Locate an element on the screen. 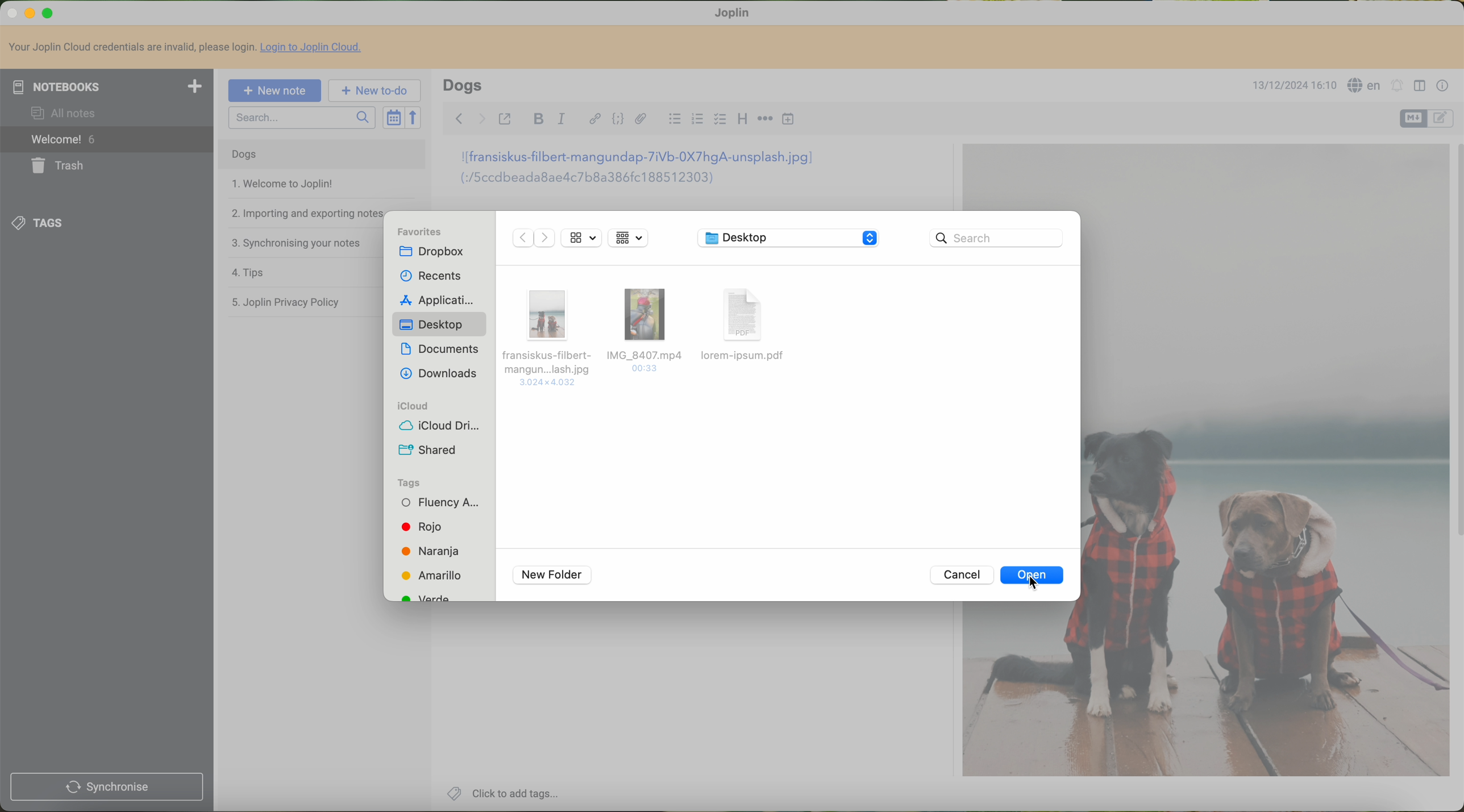 This screenshot has width=1464, height=812. italic is located at coordinates (562, 120).